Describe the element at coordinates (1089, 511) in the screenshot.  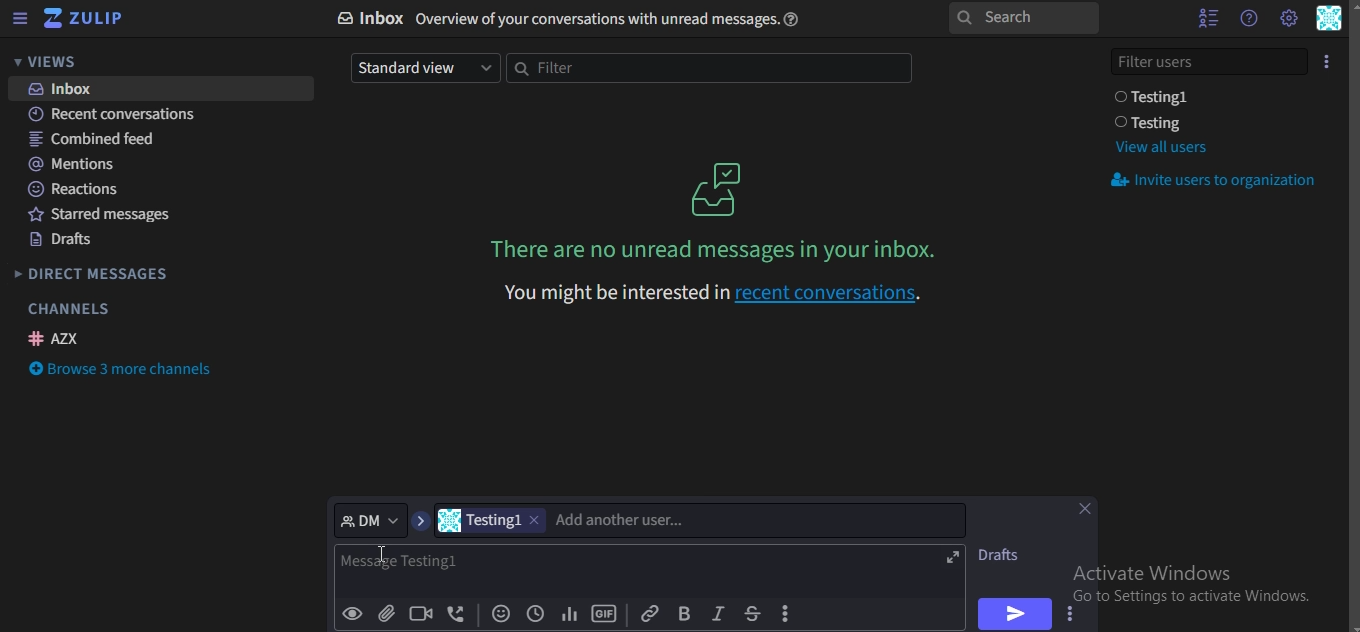
I see `close` at that location.